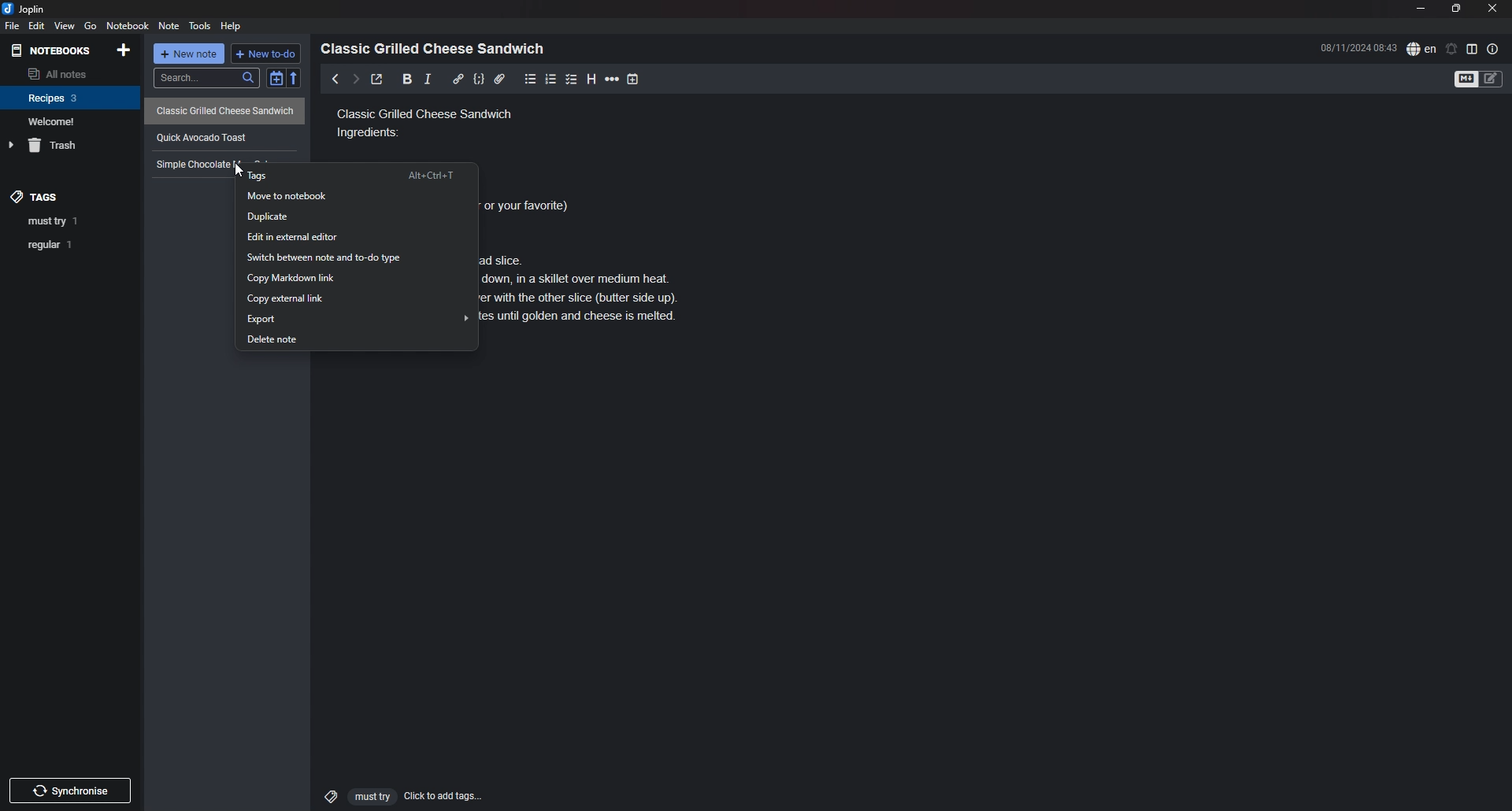 This screenshot has width=1512, height=811. What do you see at coordinates (428, 79) in the screenshot?
I see `italic` at bounding box center [428, 79].